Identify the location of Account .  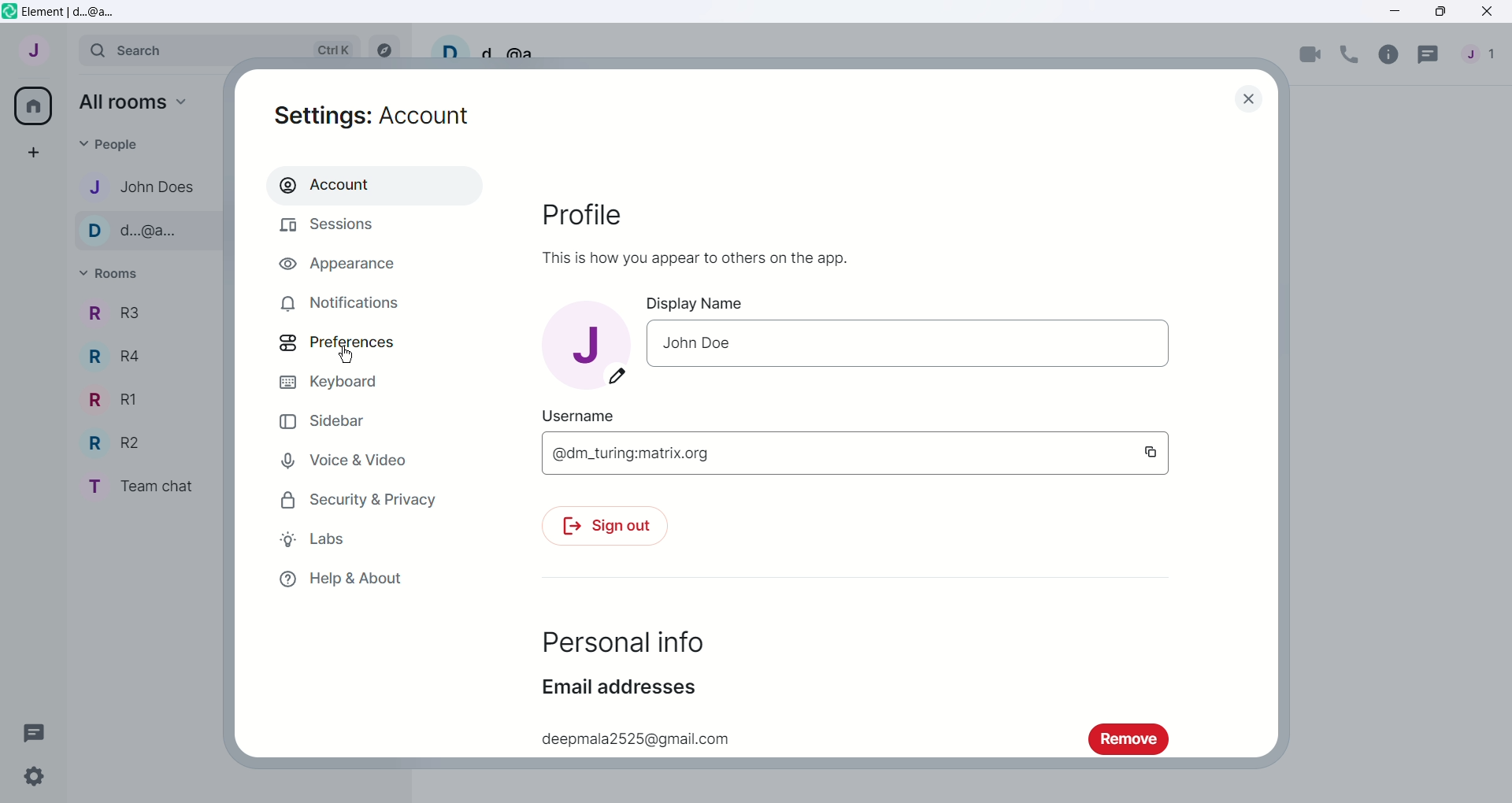
(374, 186).